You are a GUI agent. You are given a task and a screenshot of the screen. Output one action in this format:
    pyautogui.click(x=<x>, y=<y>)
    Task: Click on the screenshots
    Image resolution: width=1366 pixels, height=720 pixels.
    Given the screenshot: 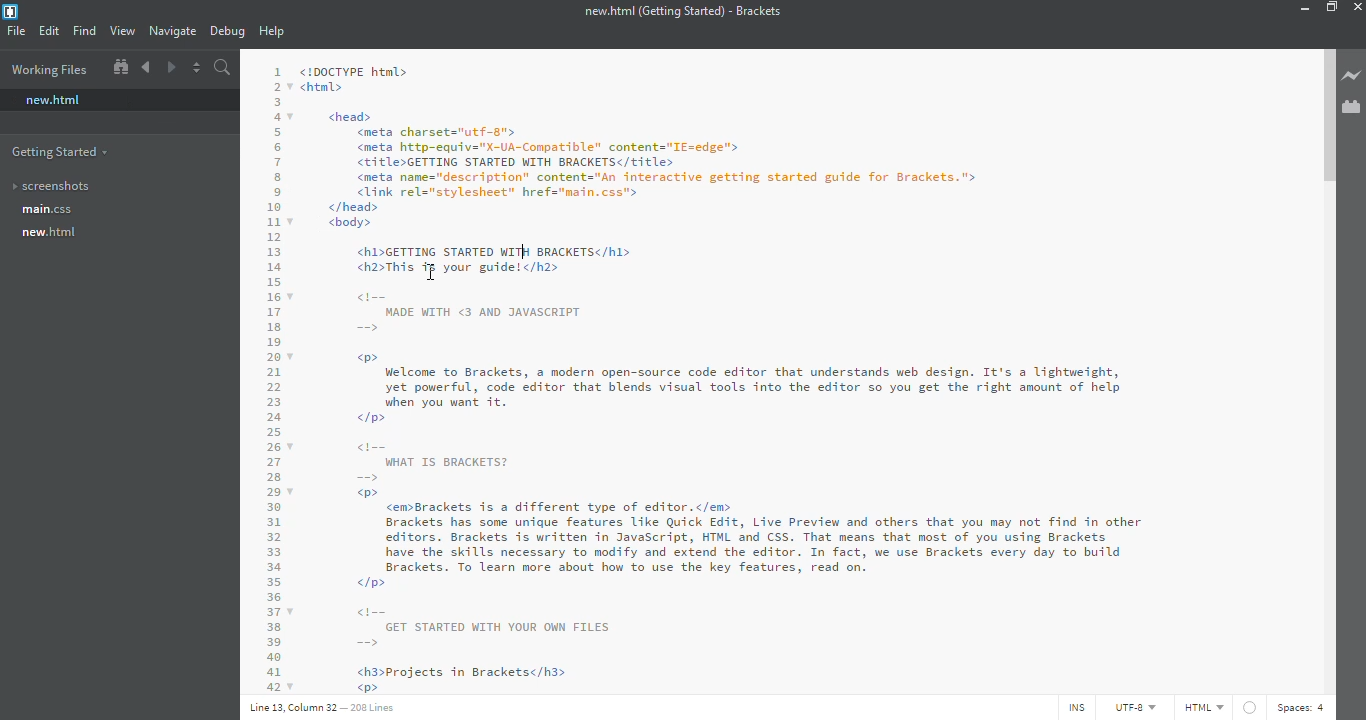 What is the action you would take?
    pyautogui.click(x=61, y=186)
    